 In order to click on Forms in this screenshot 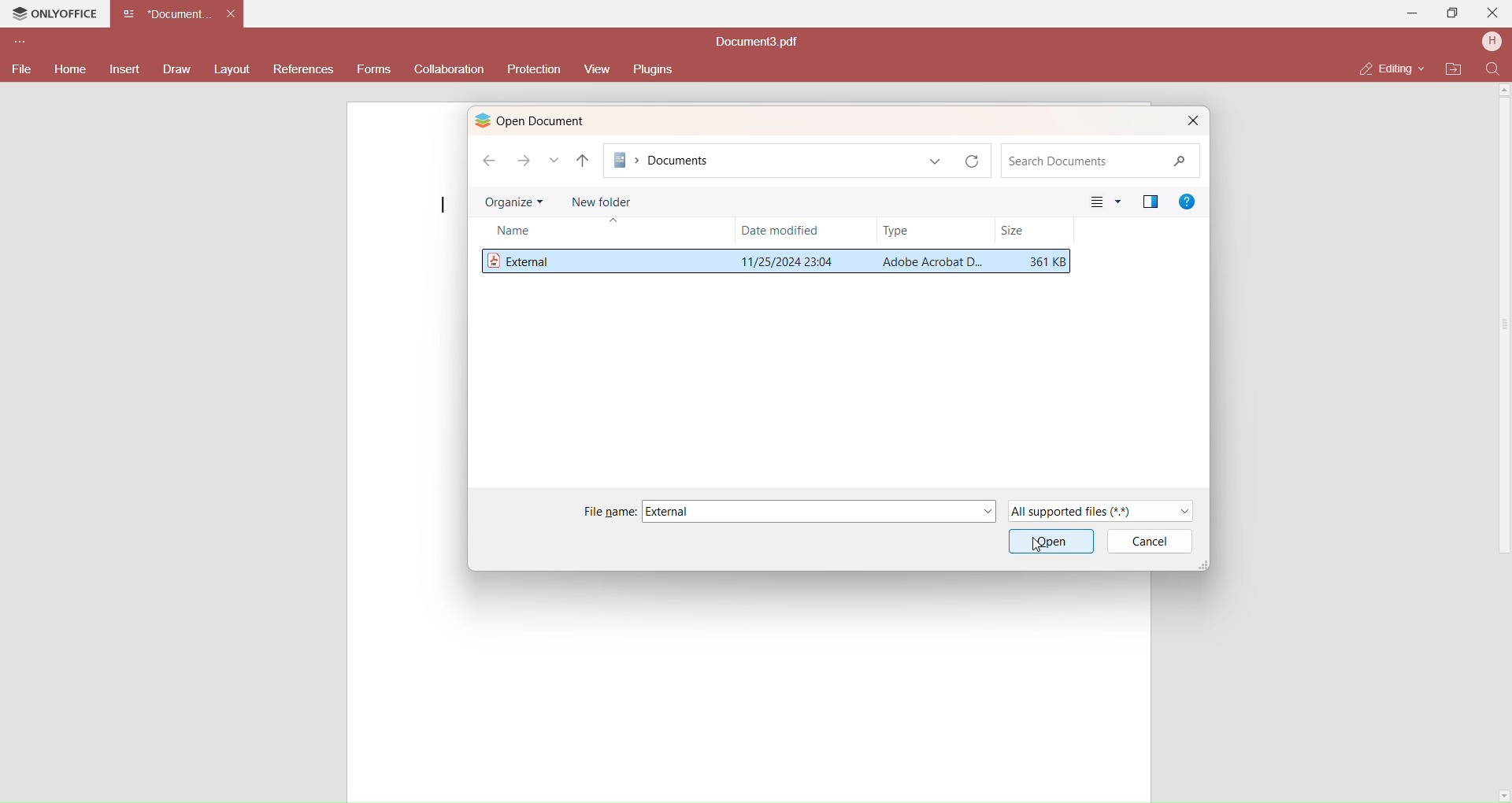, I will do `click(374, 71)`.